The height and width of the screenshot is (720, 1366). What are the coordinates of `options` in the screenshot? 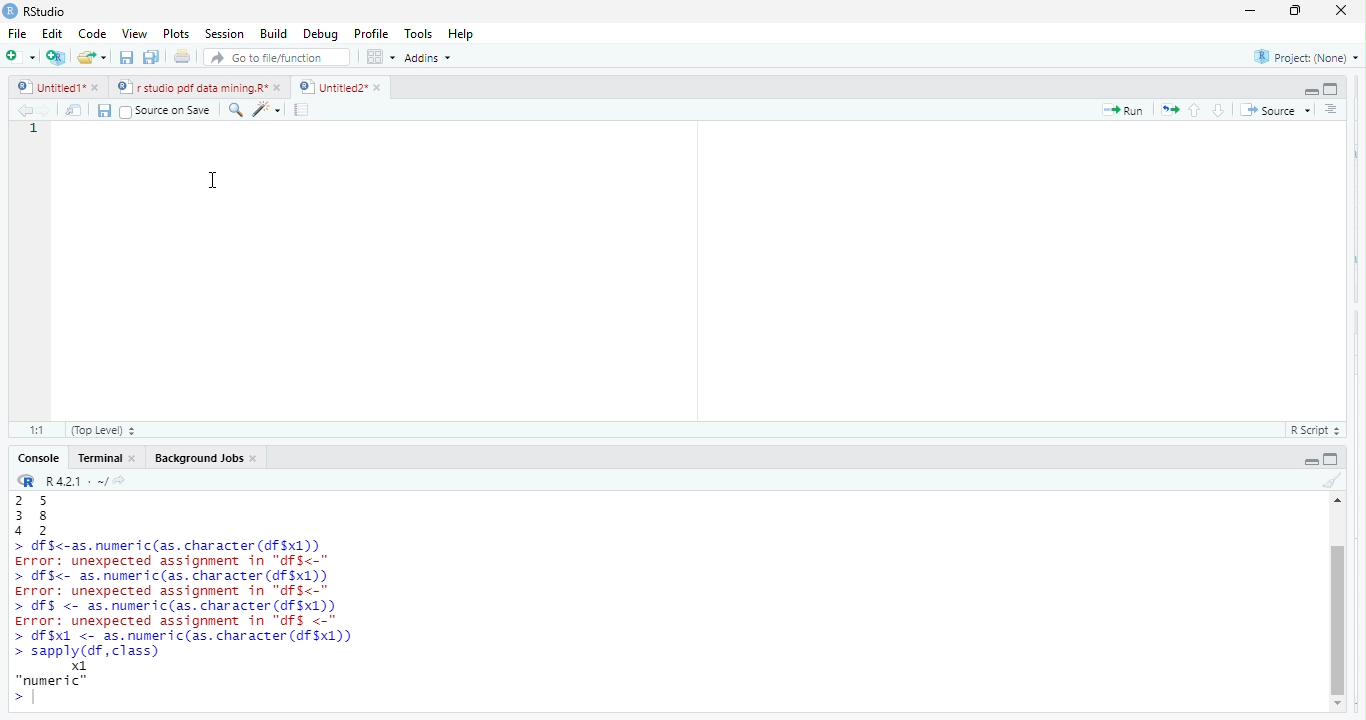 It's located at (381, 56).